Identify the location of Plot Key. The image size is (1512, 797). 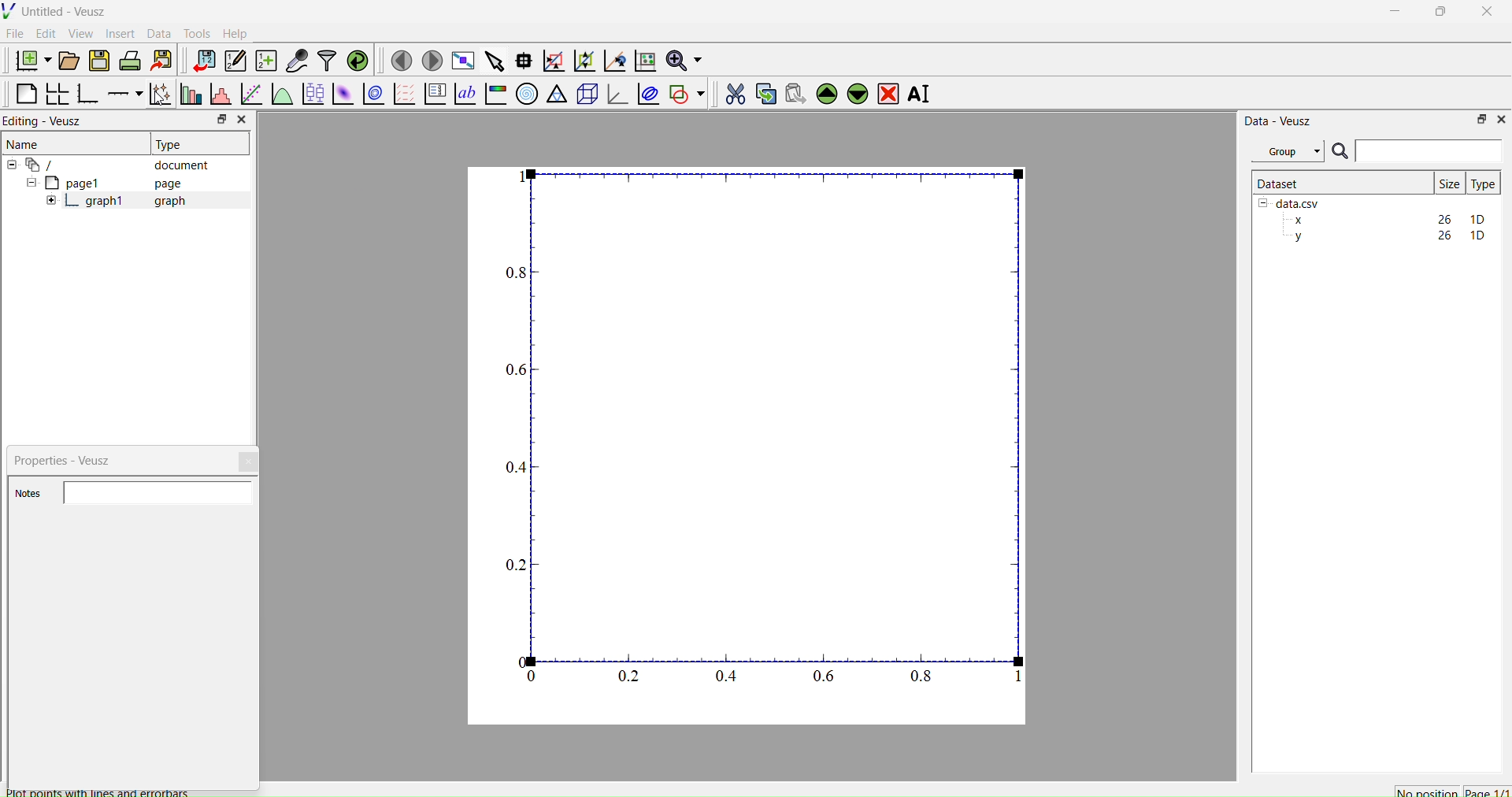
(435, 94).